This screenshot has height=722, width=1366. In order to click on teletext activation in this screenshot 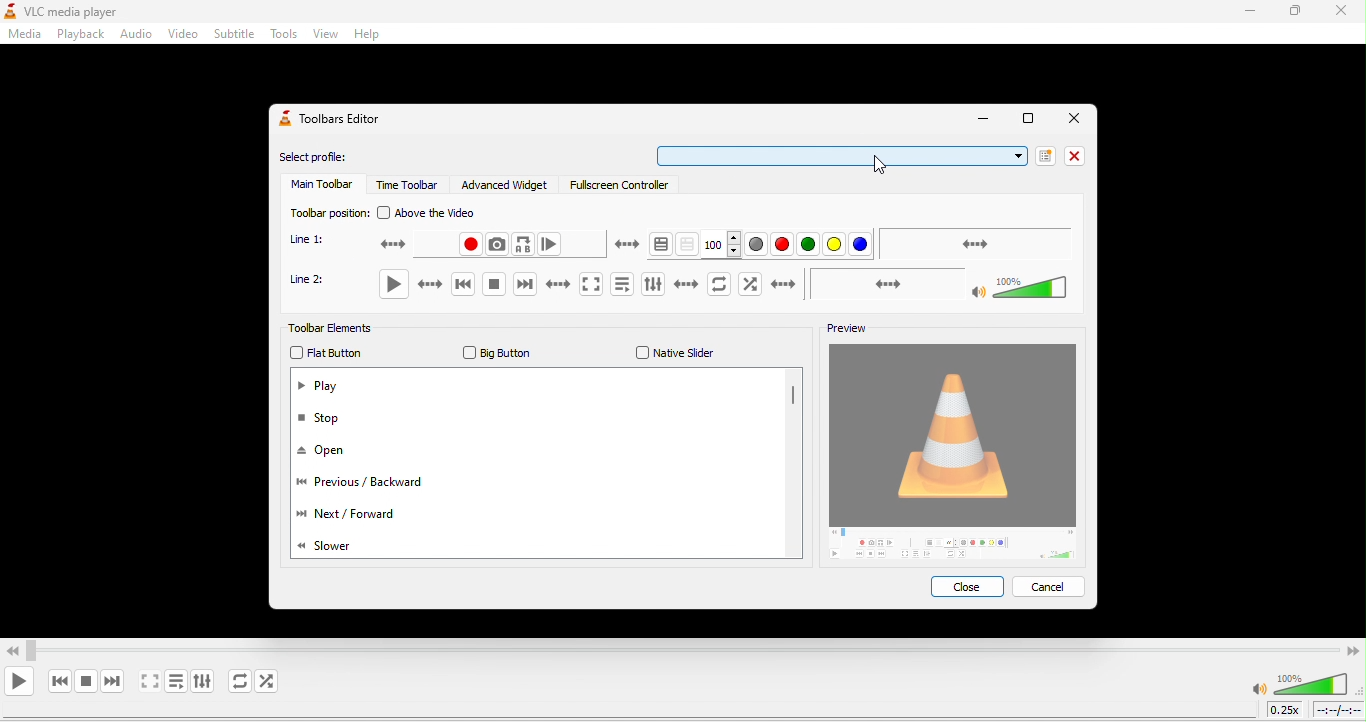, I will do `click(642, 247)`.